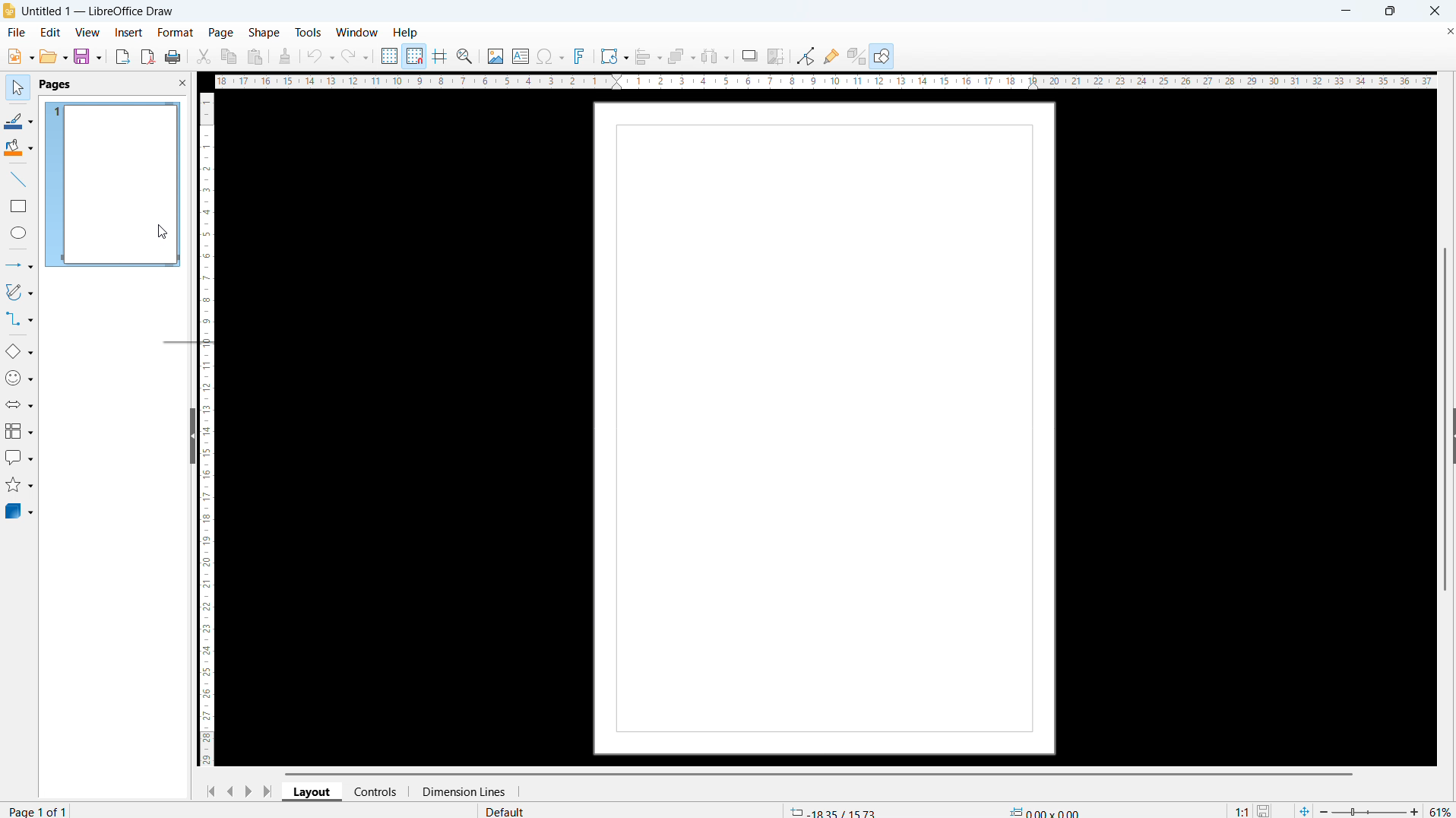 The width and height of the screenshot is (1456, 818). Describe the element at coordinates (148, 56) in the screenshot. I see `export as pdf` at that location.